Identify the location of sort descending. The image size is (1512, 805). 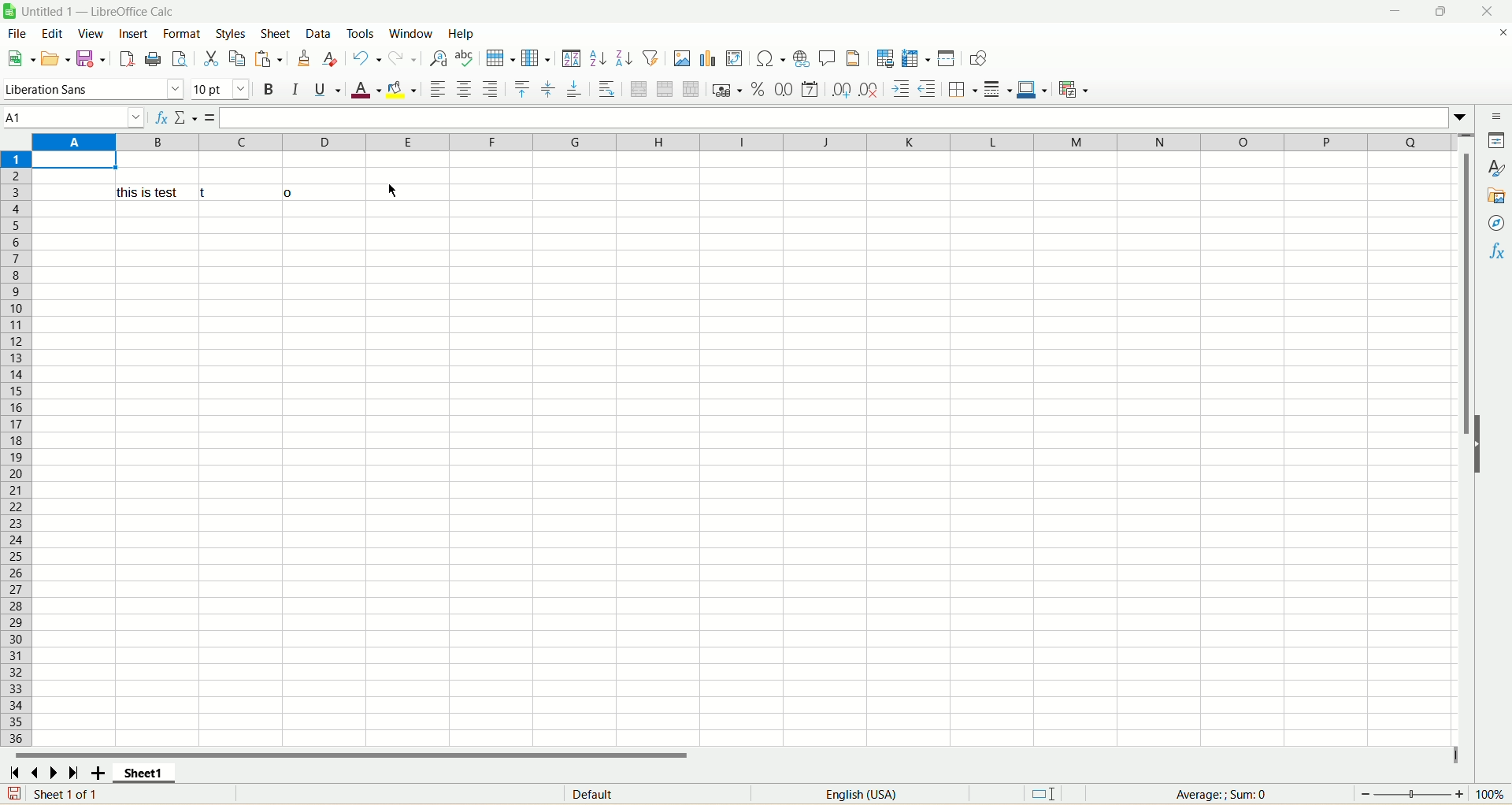
(623, 60).